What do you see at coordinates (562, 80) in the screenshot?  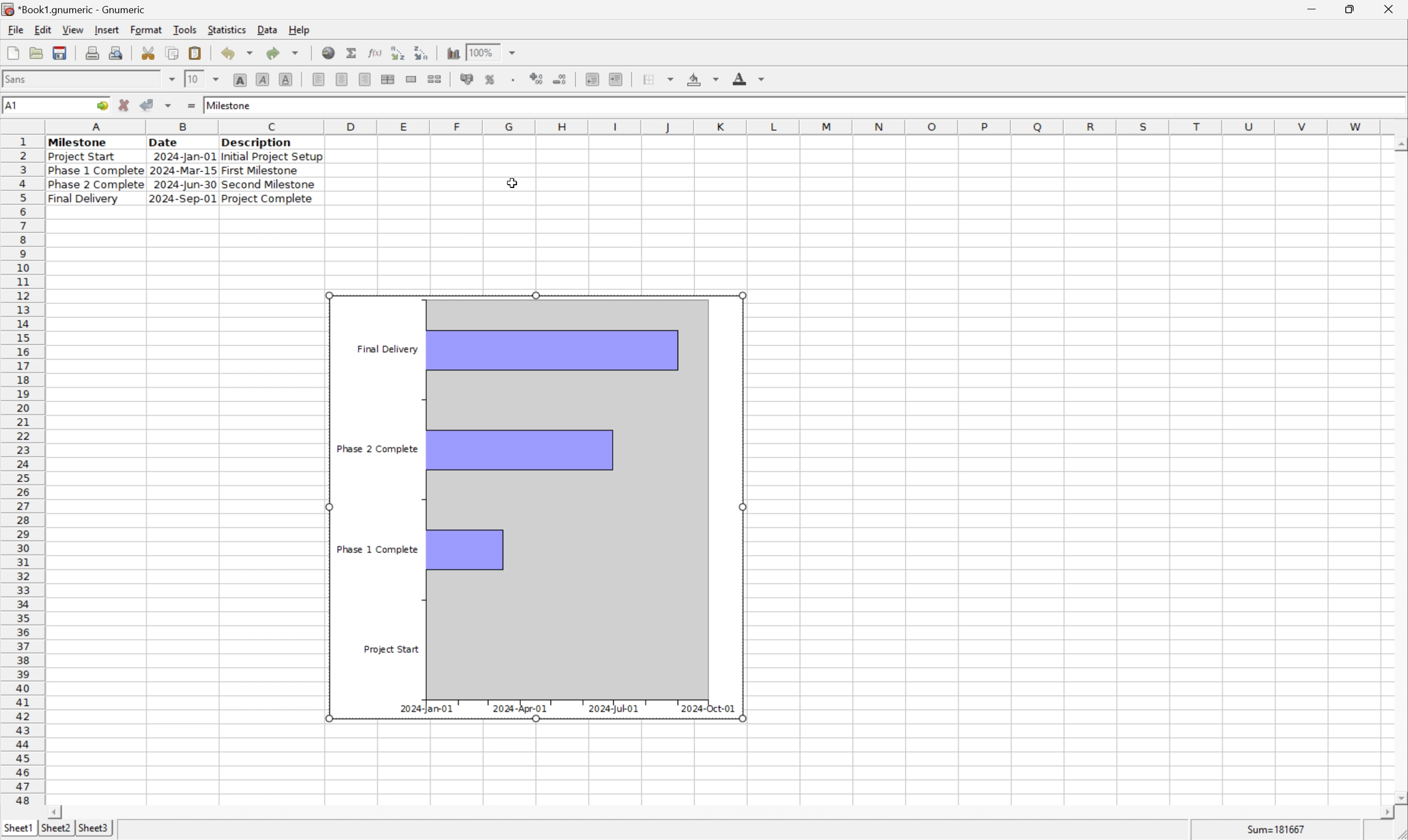 I see `decrease number of decimals displayed` at bounding box center [562, 80].